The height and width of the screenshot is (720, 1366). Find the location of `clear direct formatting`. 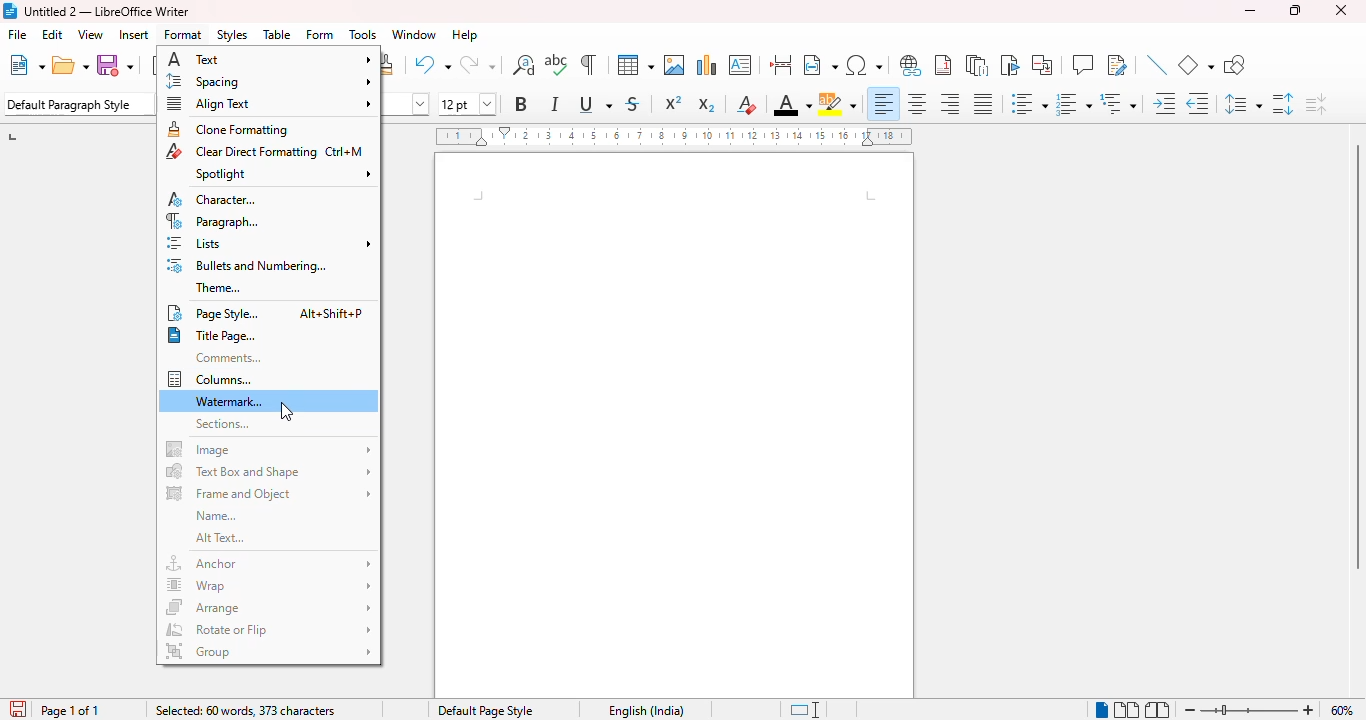

clear direct formatting is located at coordinates (242, 151).